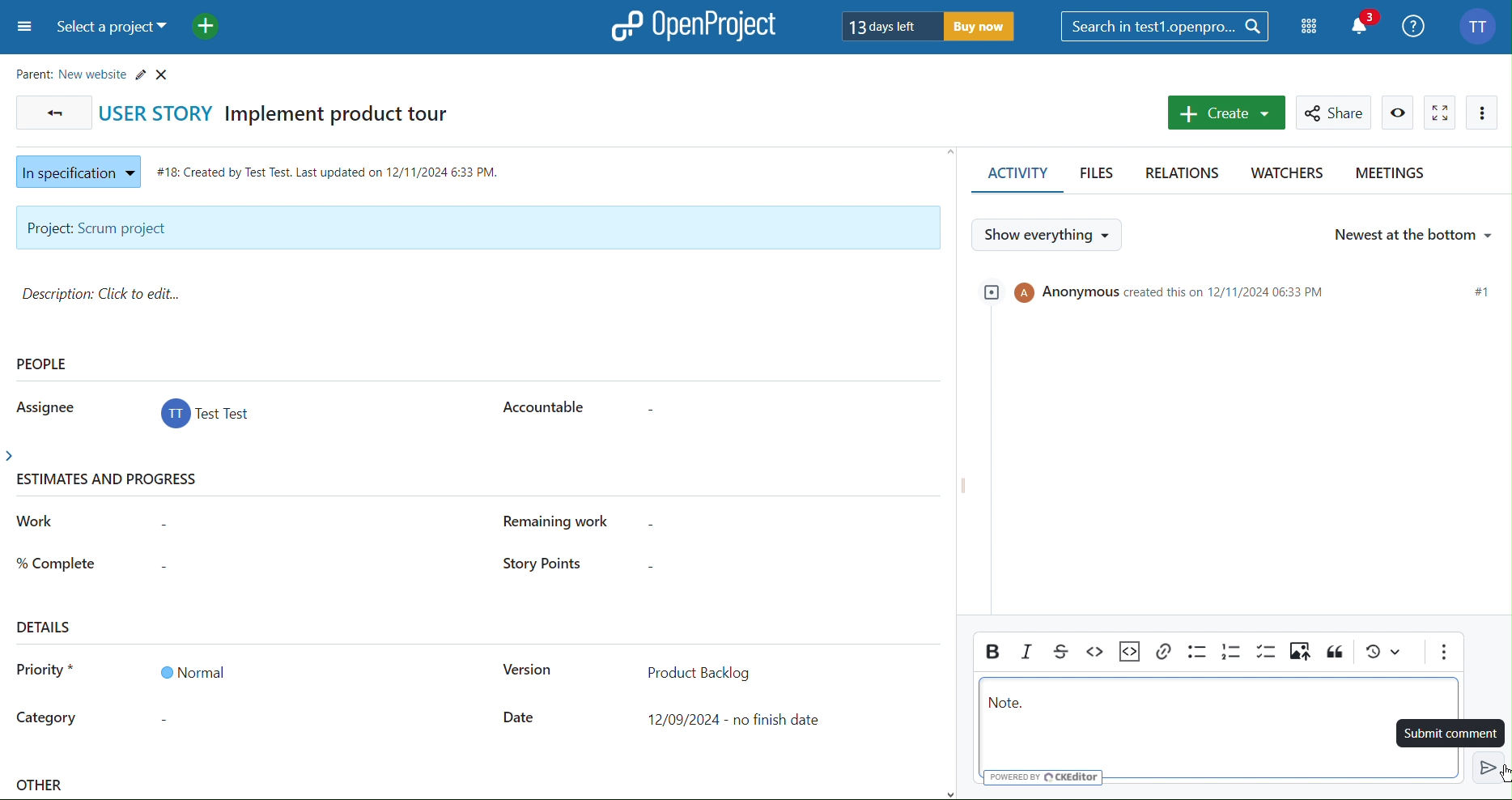 Image resolution: width=1512 pixels, height=800 pixels. I want to click on Remaining work, so click(565, 521).